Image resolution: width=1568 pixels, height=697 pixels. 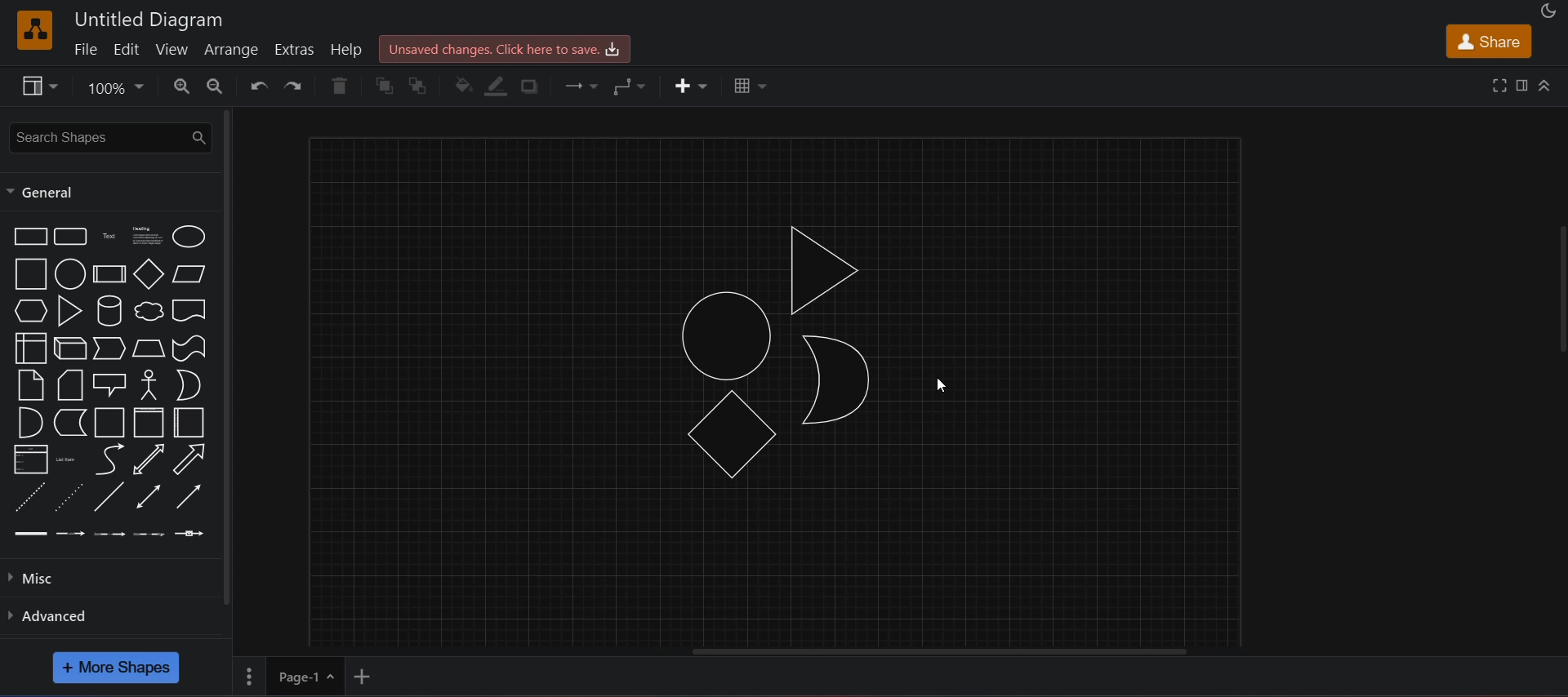 I want to click on extras, so click(x=297, y=47).